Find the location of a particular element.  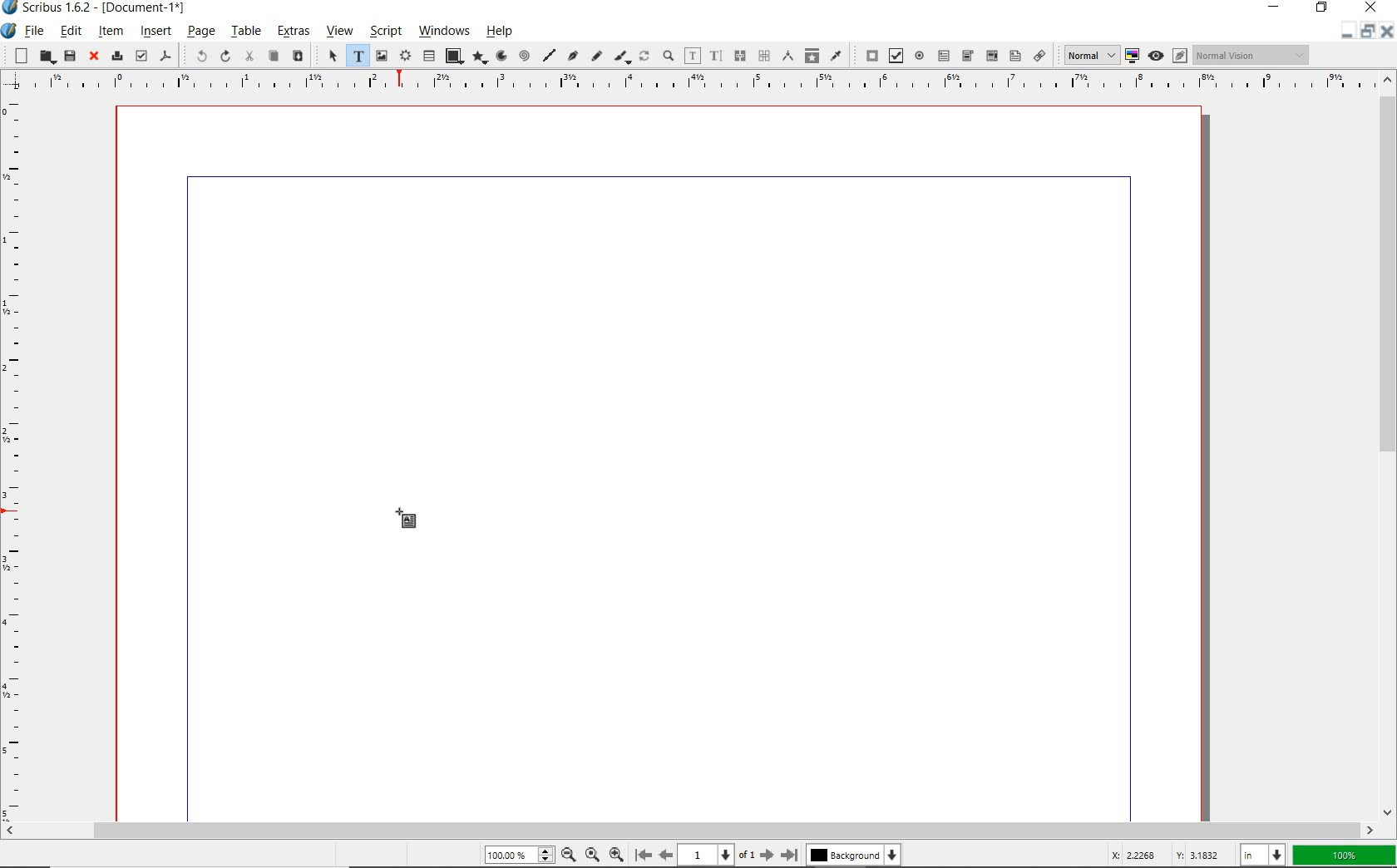

pdf list box is located at coordinates (990, 55).